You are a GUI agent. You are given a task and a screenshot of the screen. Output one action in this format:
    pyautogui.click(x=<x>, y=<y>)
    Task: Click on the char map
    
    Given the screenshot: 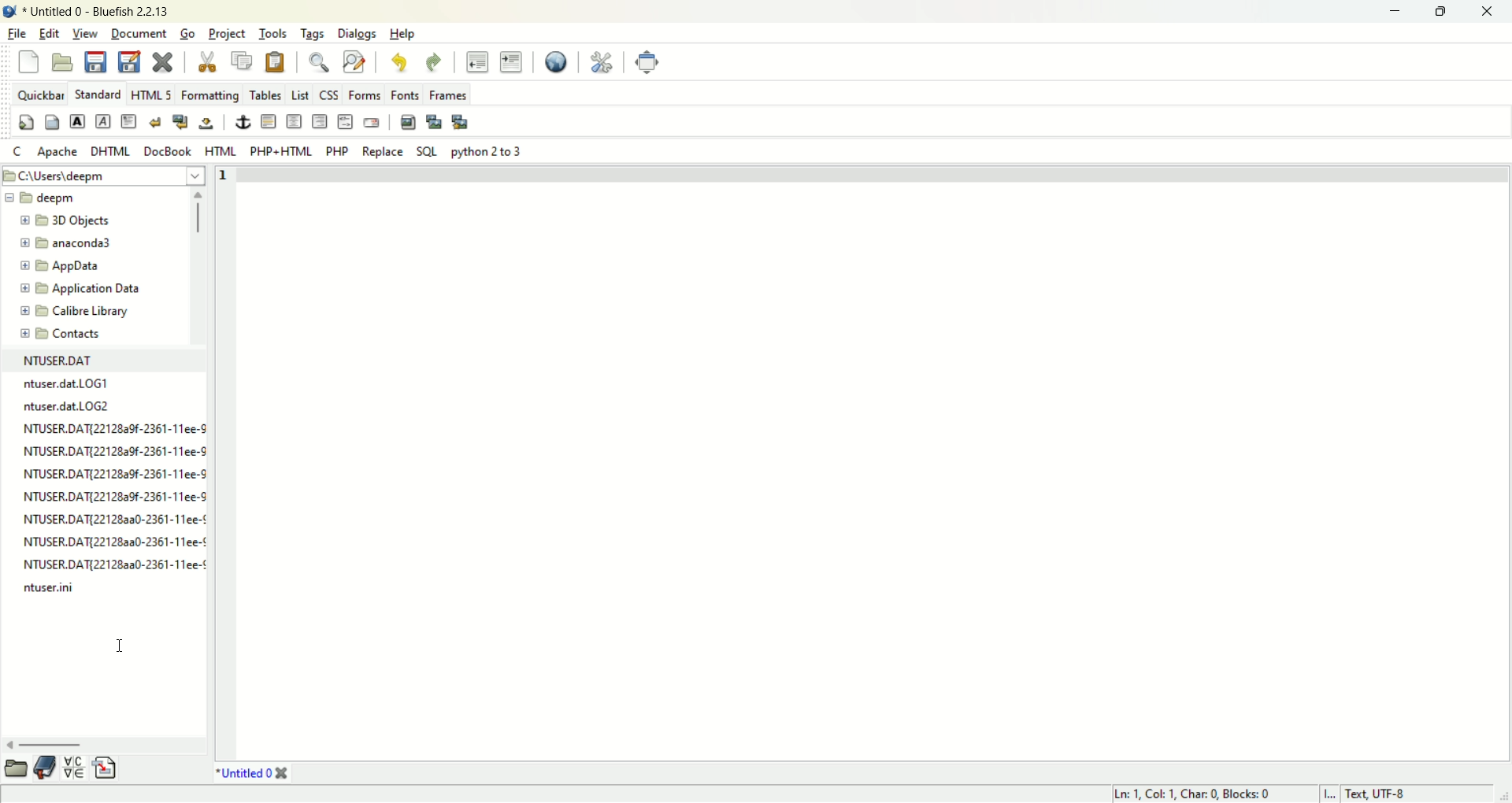 What is the action you would take?
    pyautogui.click(x=76, y=768)
    